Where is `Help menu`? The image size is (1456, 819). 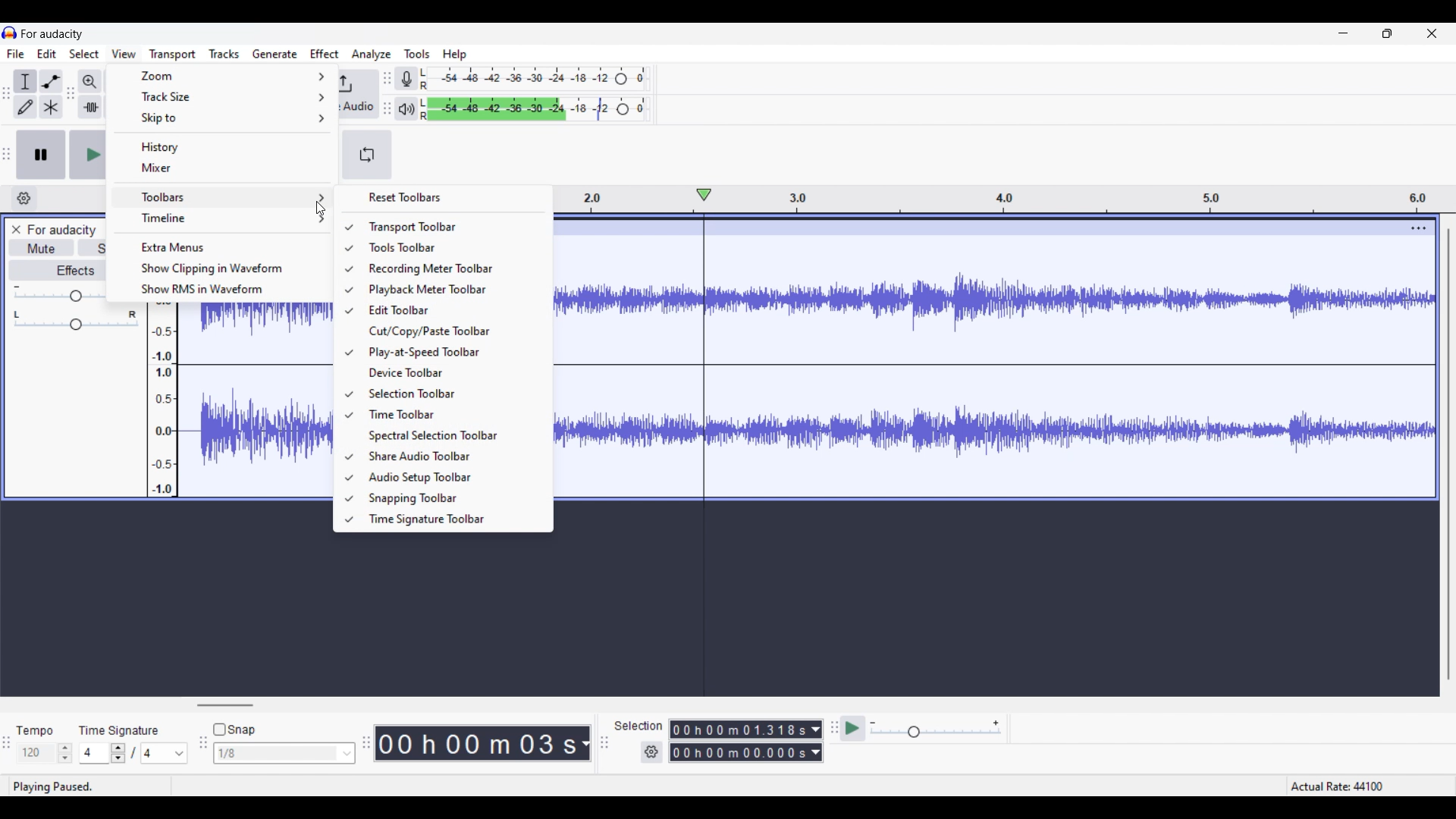
Help menu is located at coordinates (454, 55).